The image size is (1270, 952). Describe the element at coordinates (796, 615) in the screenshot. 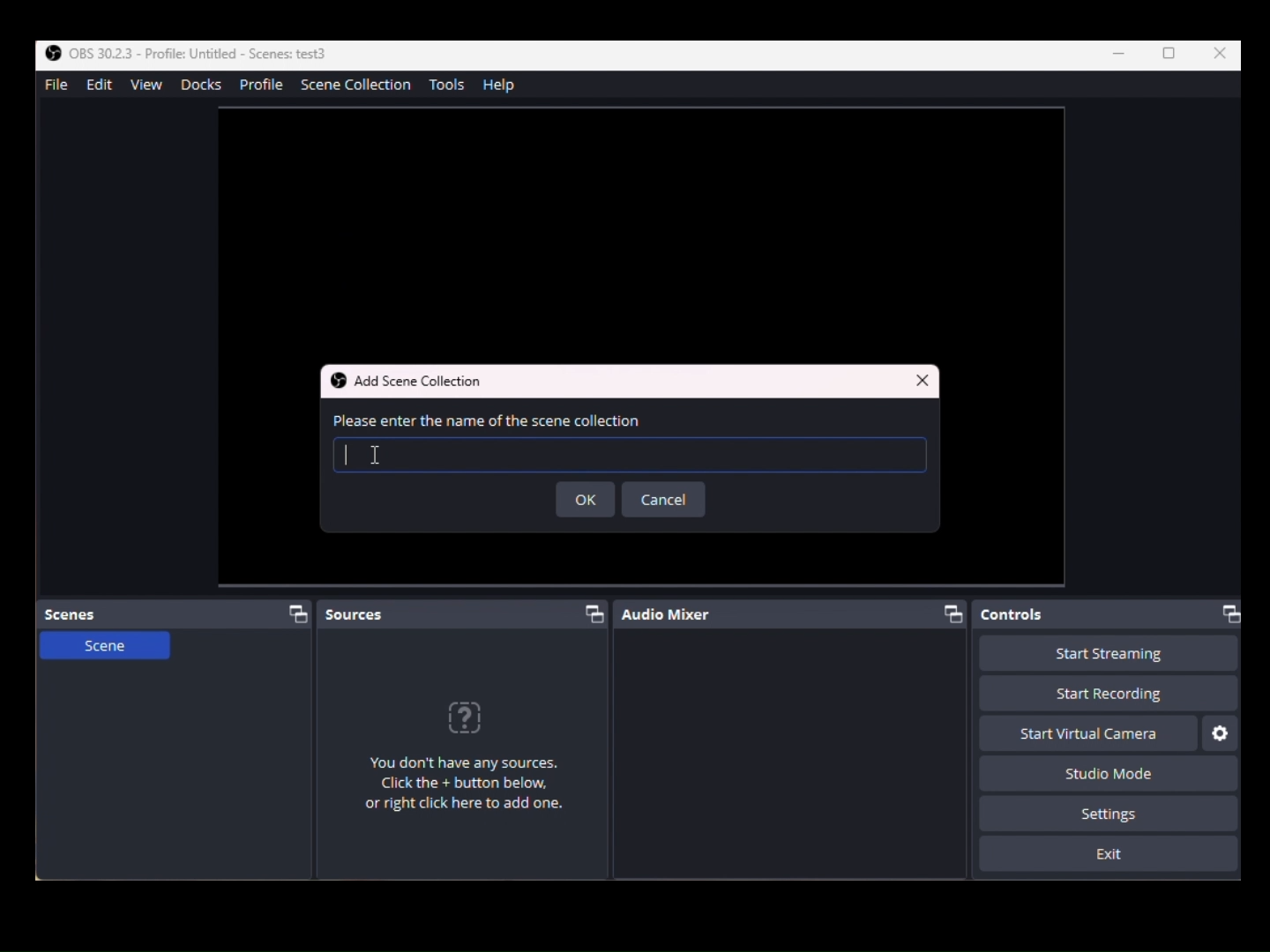

I see `Audio Mixer` at that location.